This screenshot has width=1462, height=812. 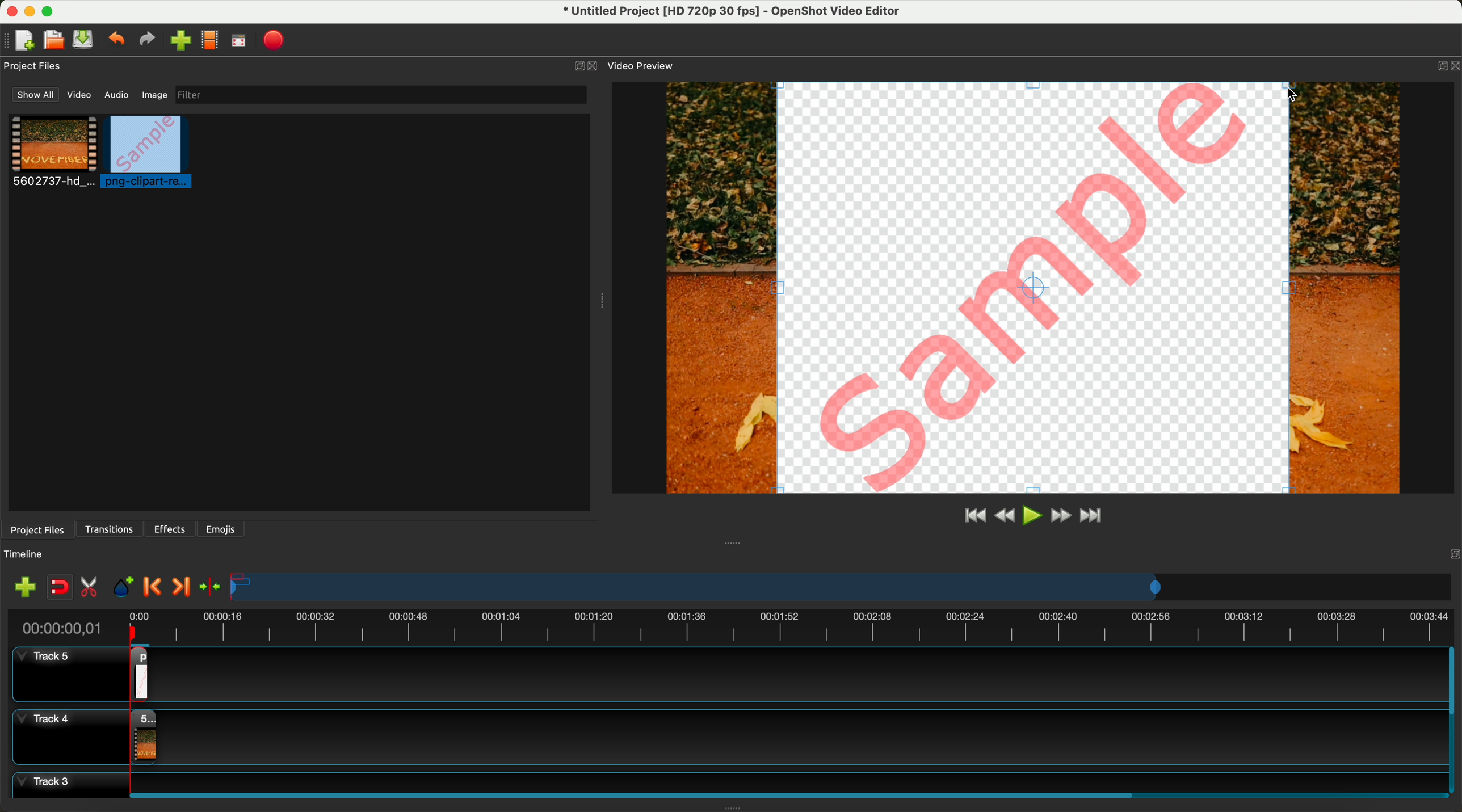 I want to click on image, so click(x=153, y=96).